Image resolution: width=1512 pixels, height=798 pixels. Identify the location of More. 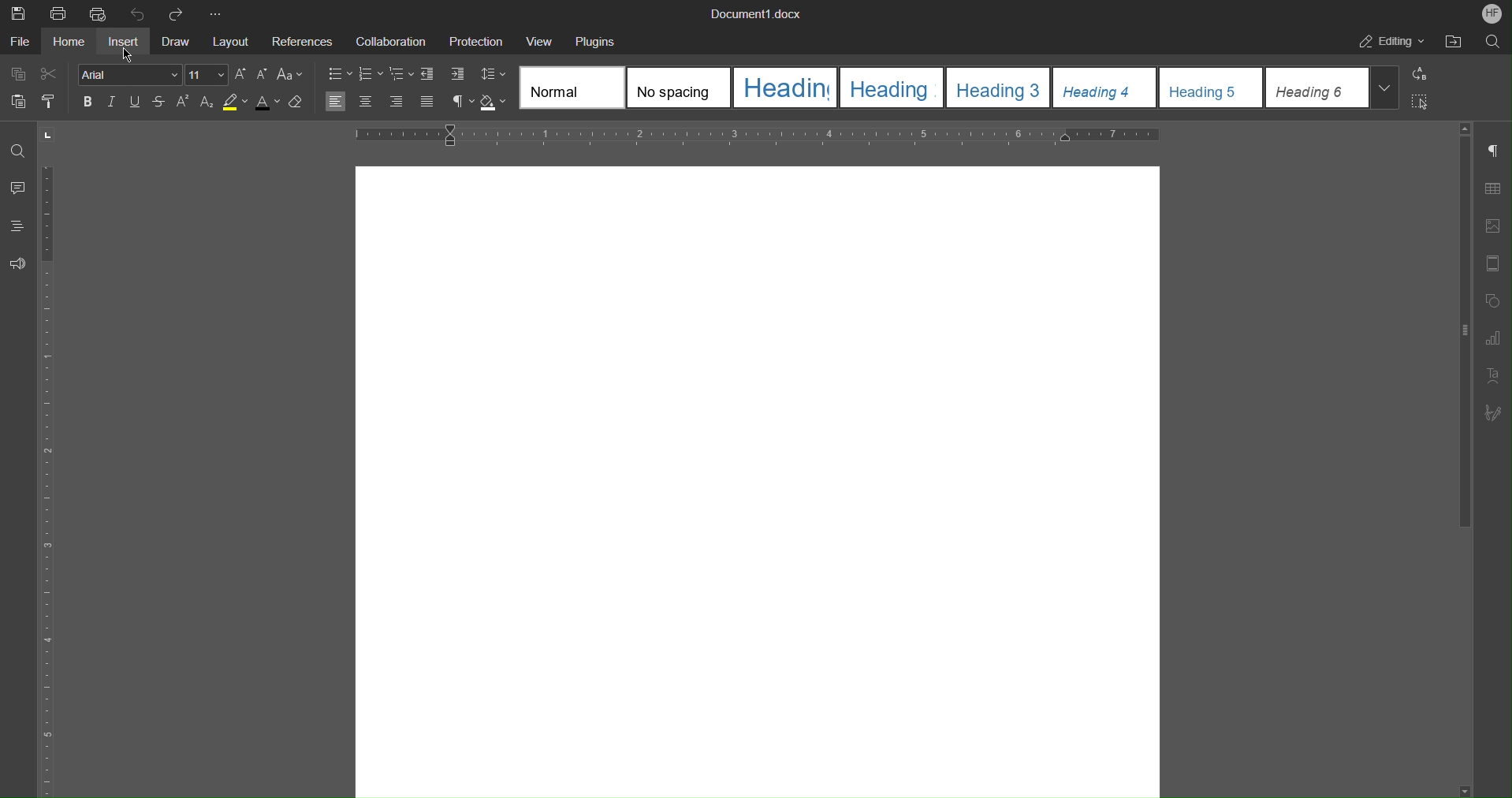
(214, 12).